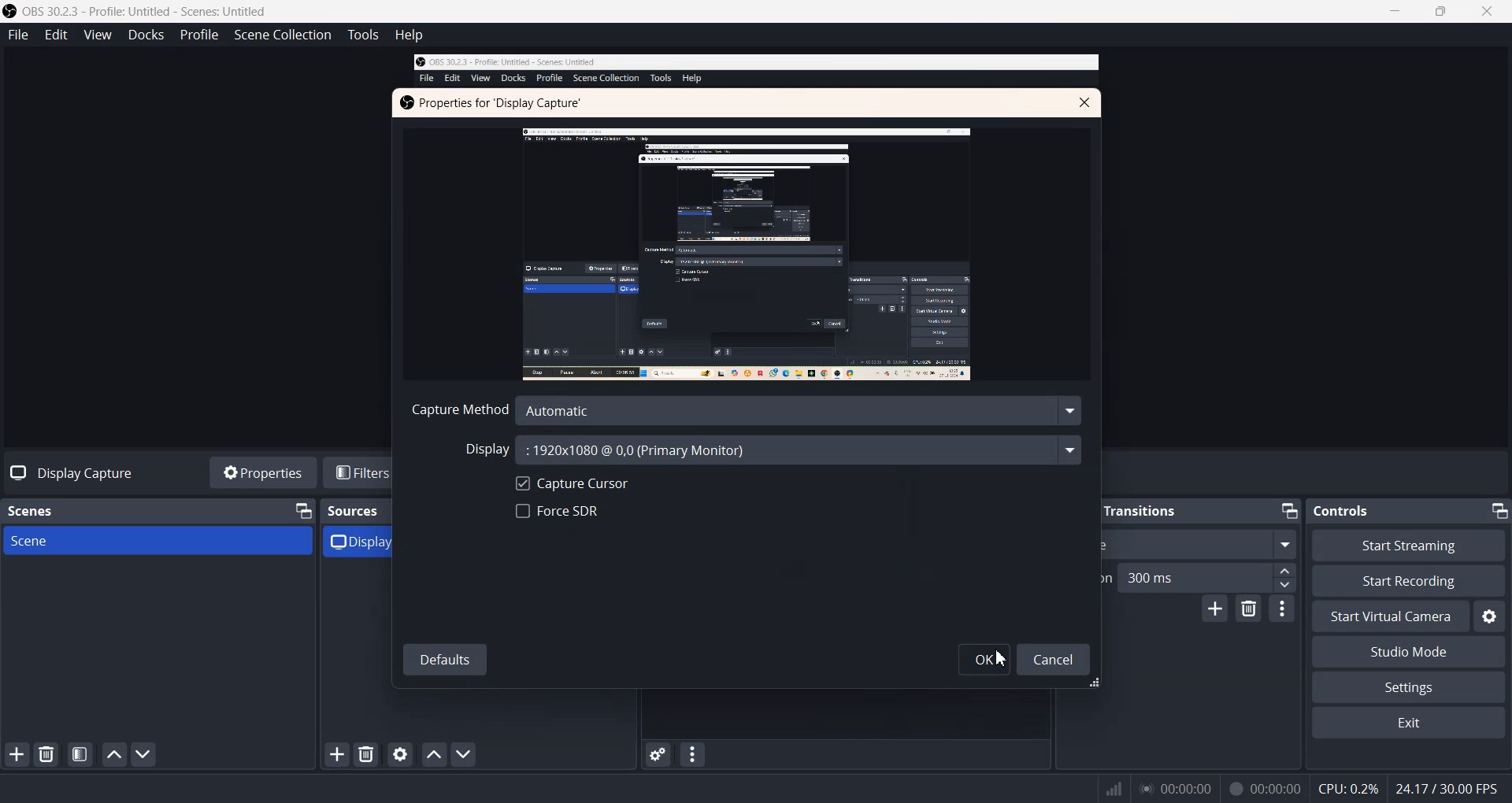 The image size is (1512, 803). Describe the element at coordinates (1407, 723) in the screenshot. I see `Exit` at that location.